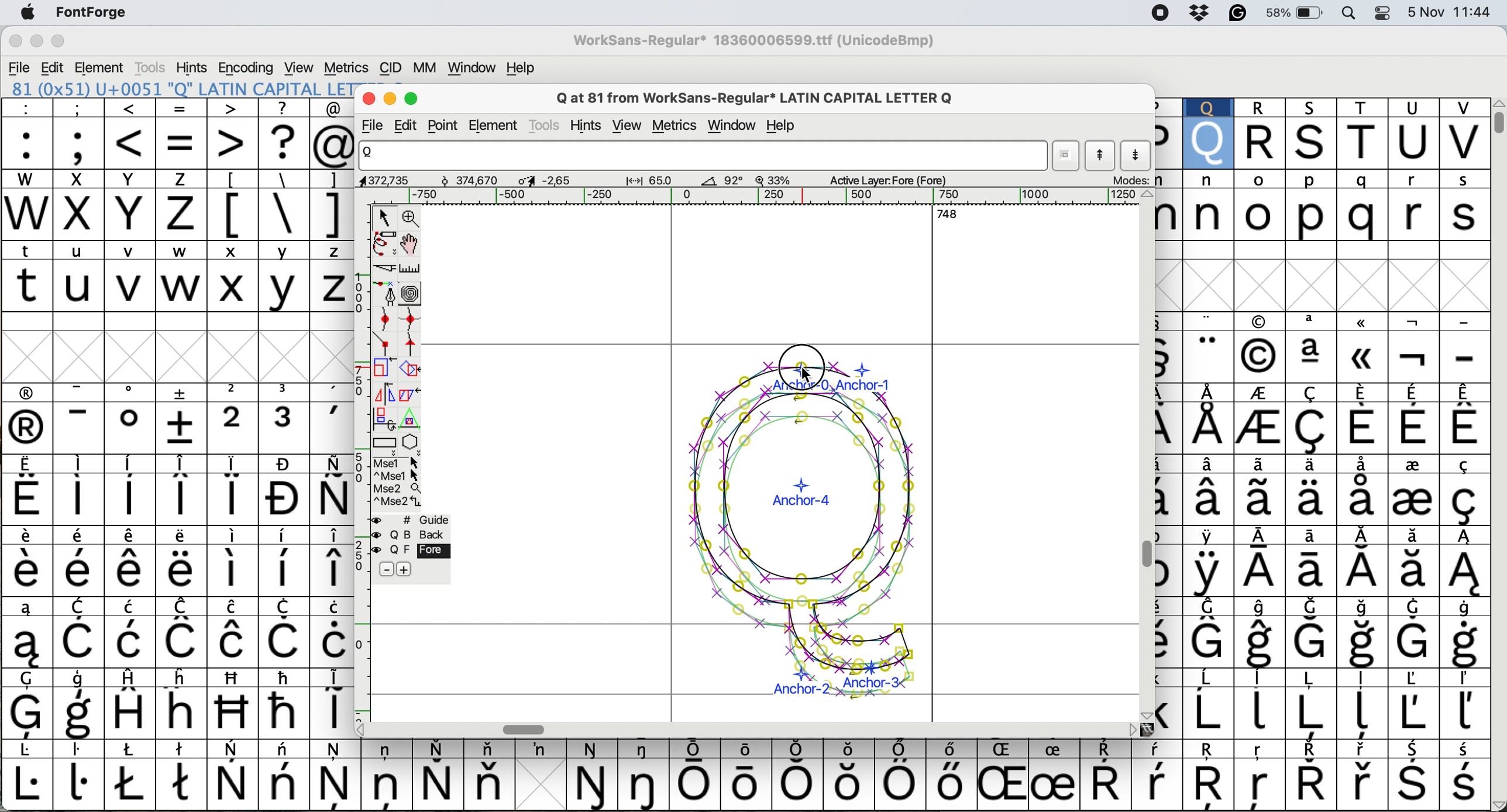 This screenshot has width=1507, height=812. I want to click on mm, so click(422, 68).